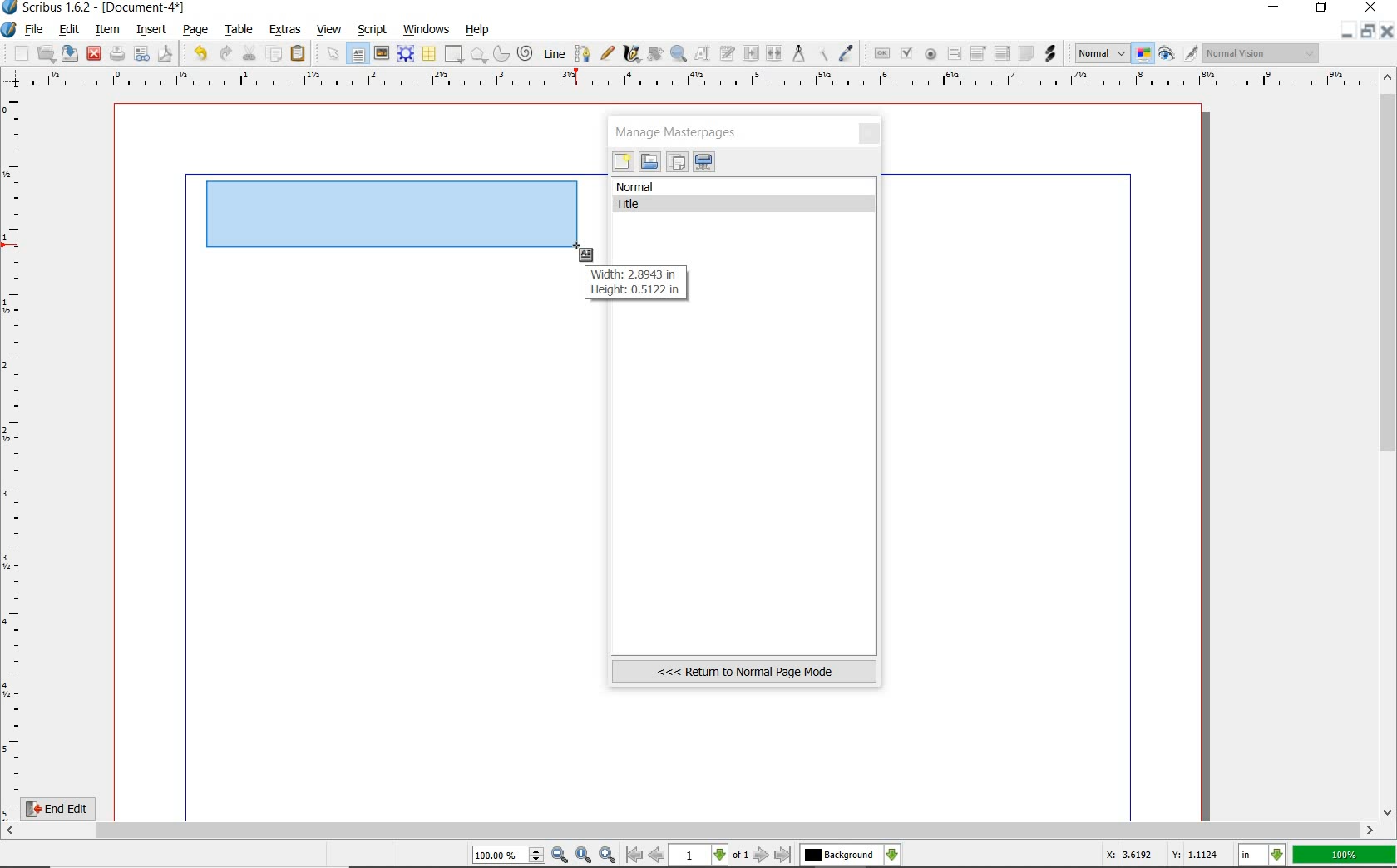  Describe the element at coordinates (1050, 52) in the screenshot. I see `link annotation` at that location.